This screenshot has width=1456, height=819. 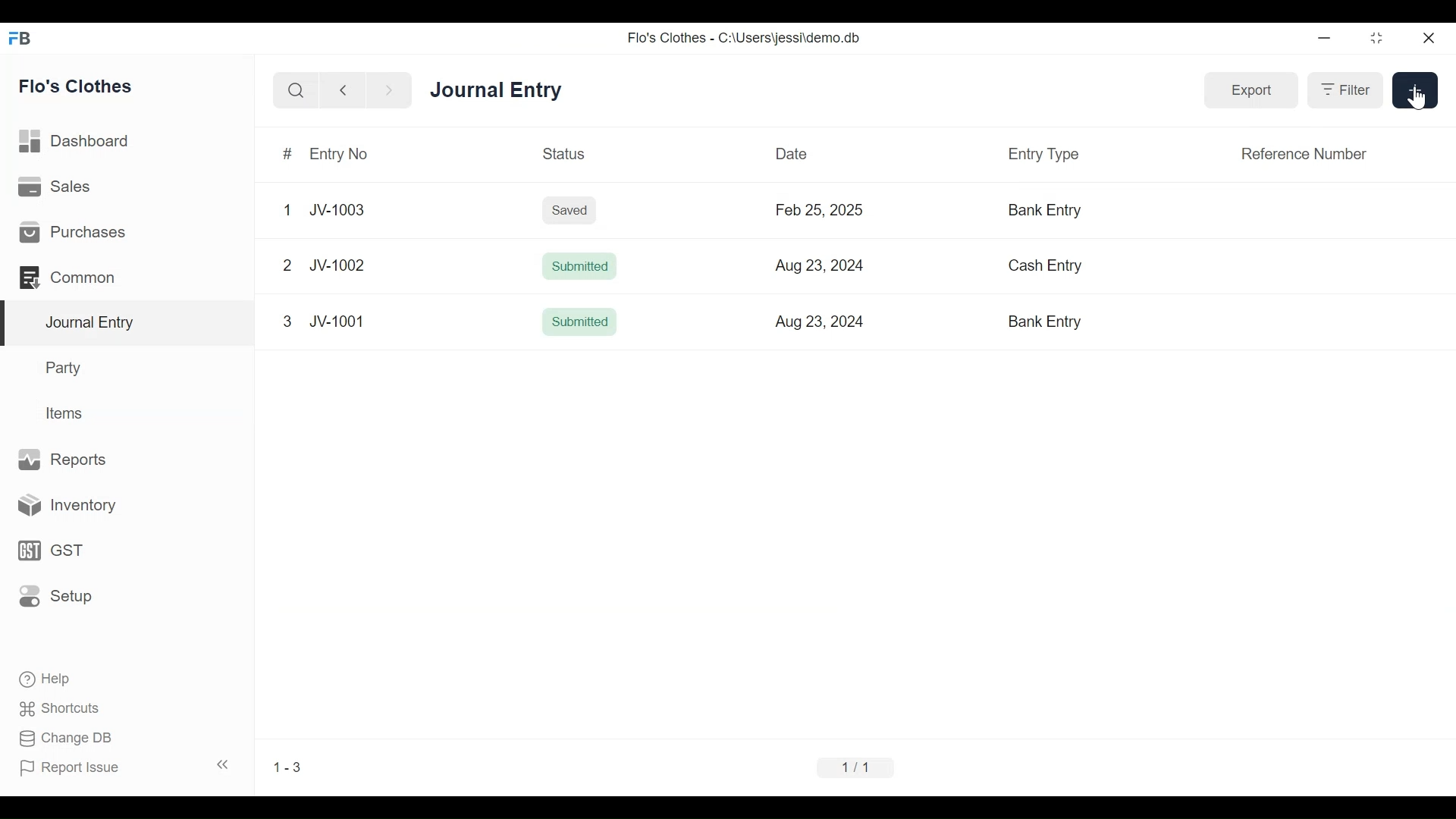 I want to click on Aug 23, 2024, so click(x=821, y=322).